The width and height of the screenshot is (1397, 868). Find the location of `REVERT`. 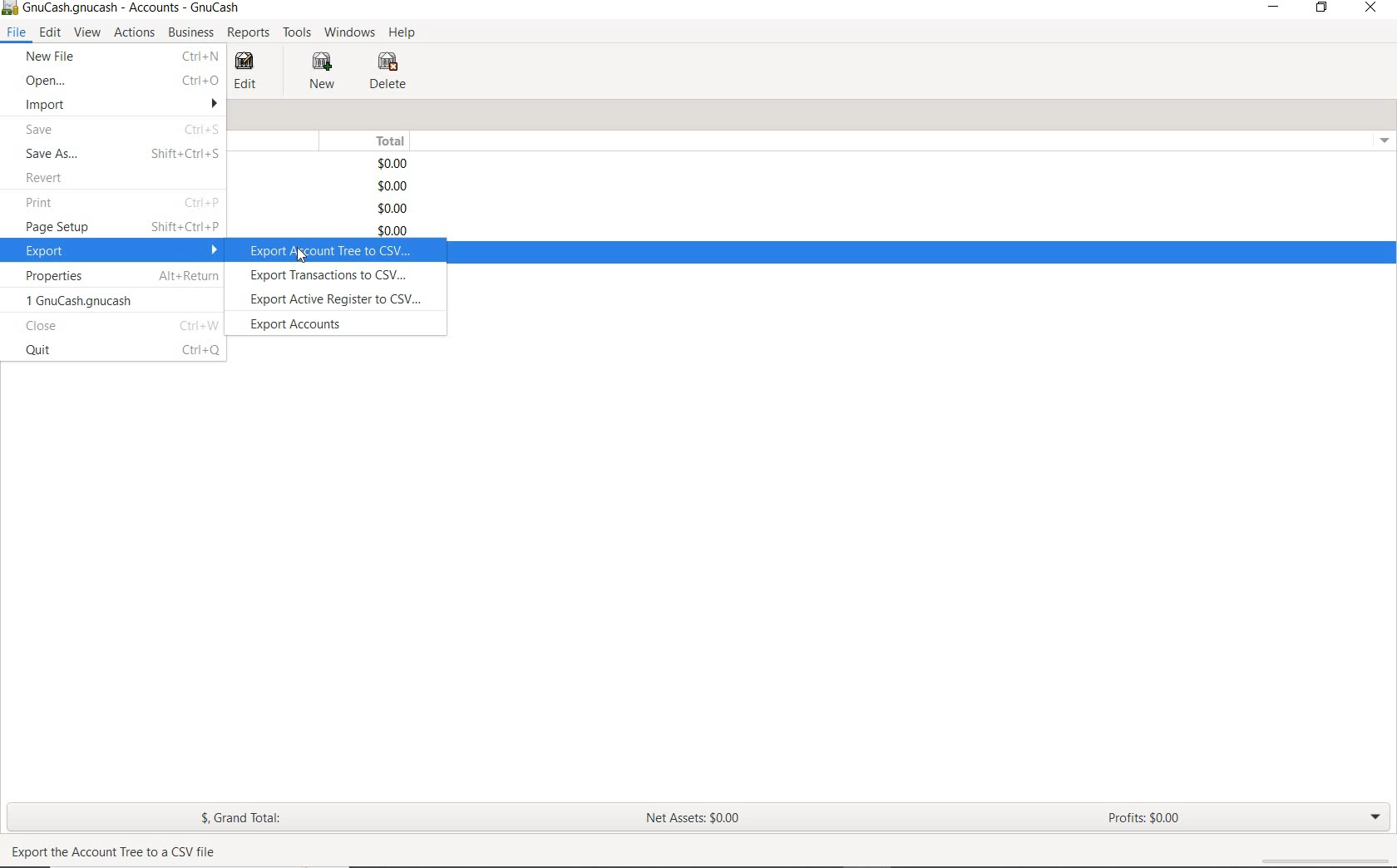

REVERT is located at coordinates (40, 178).